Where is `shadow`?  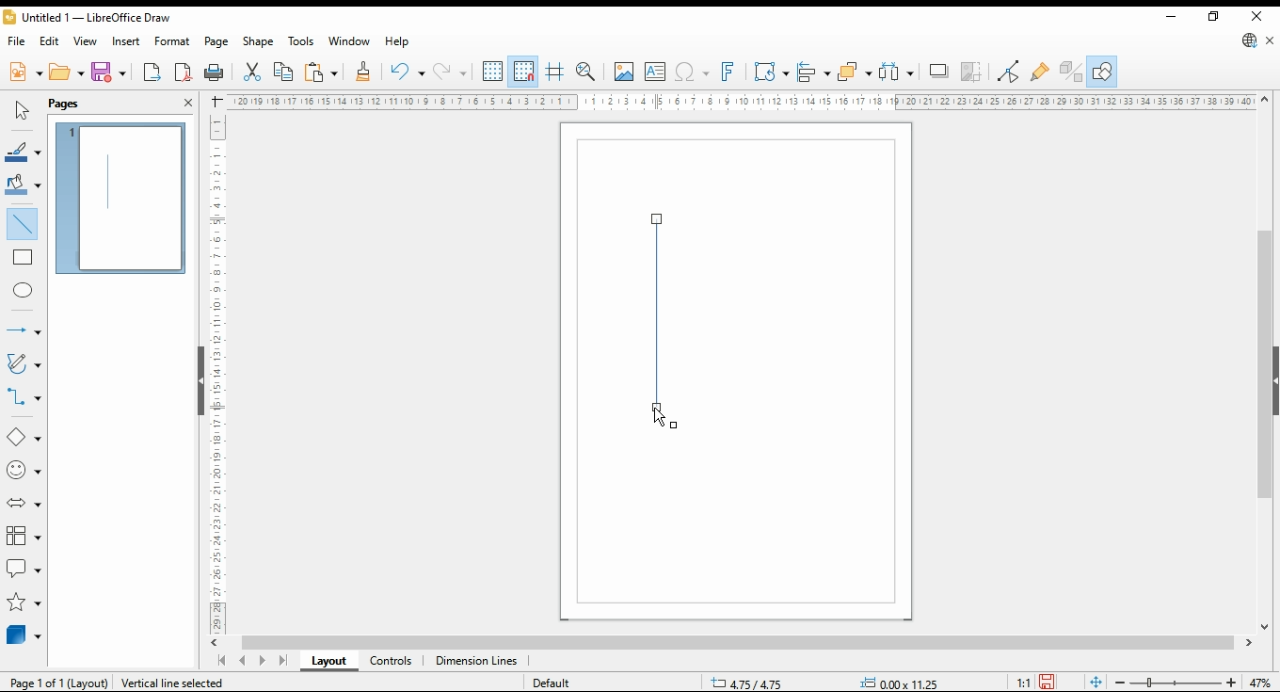 shadow is located at coordinates (940, 71).